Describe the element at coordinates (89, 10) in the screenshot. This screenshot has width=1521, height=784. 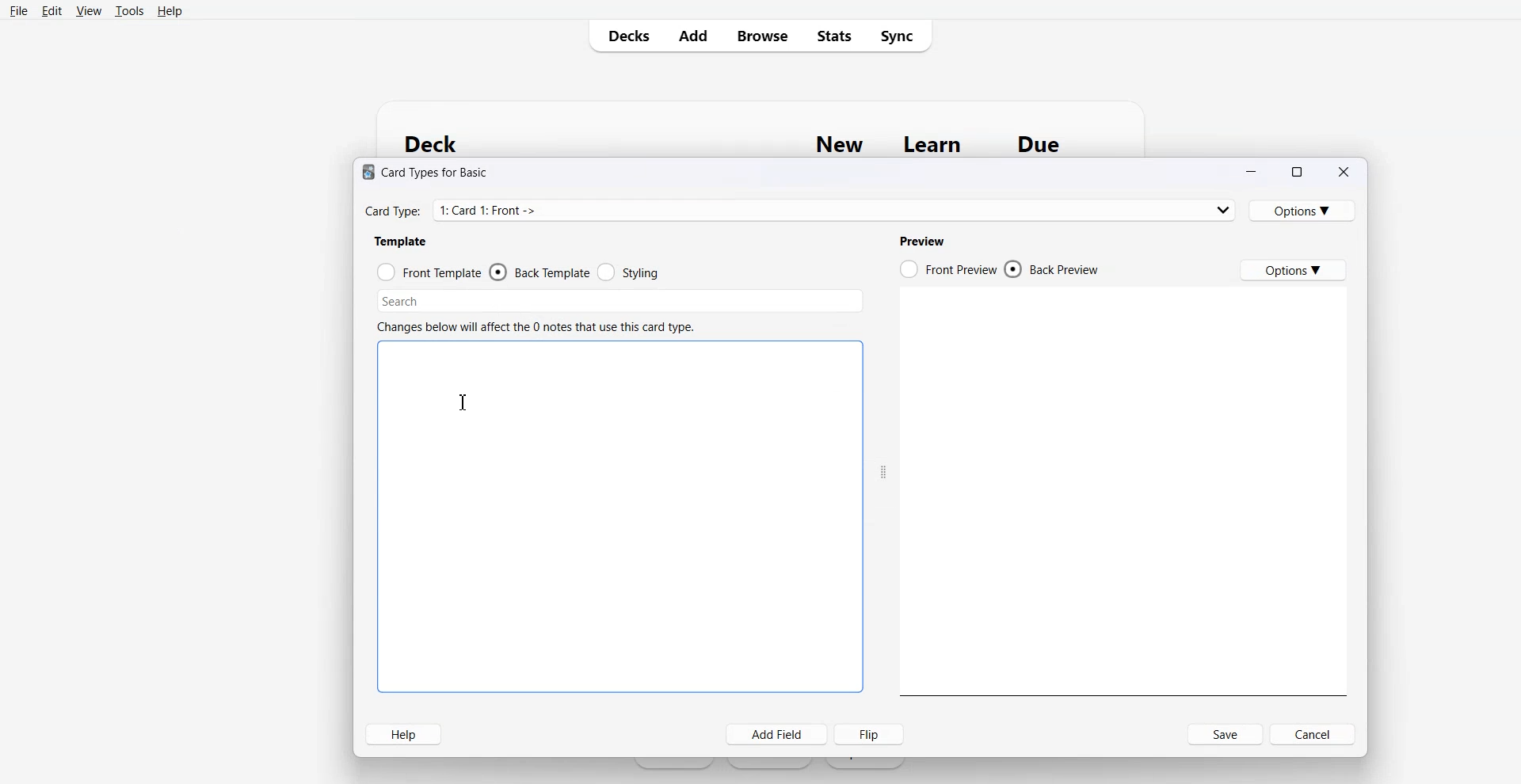
I see `View` at that location.